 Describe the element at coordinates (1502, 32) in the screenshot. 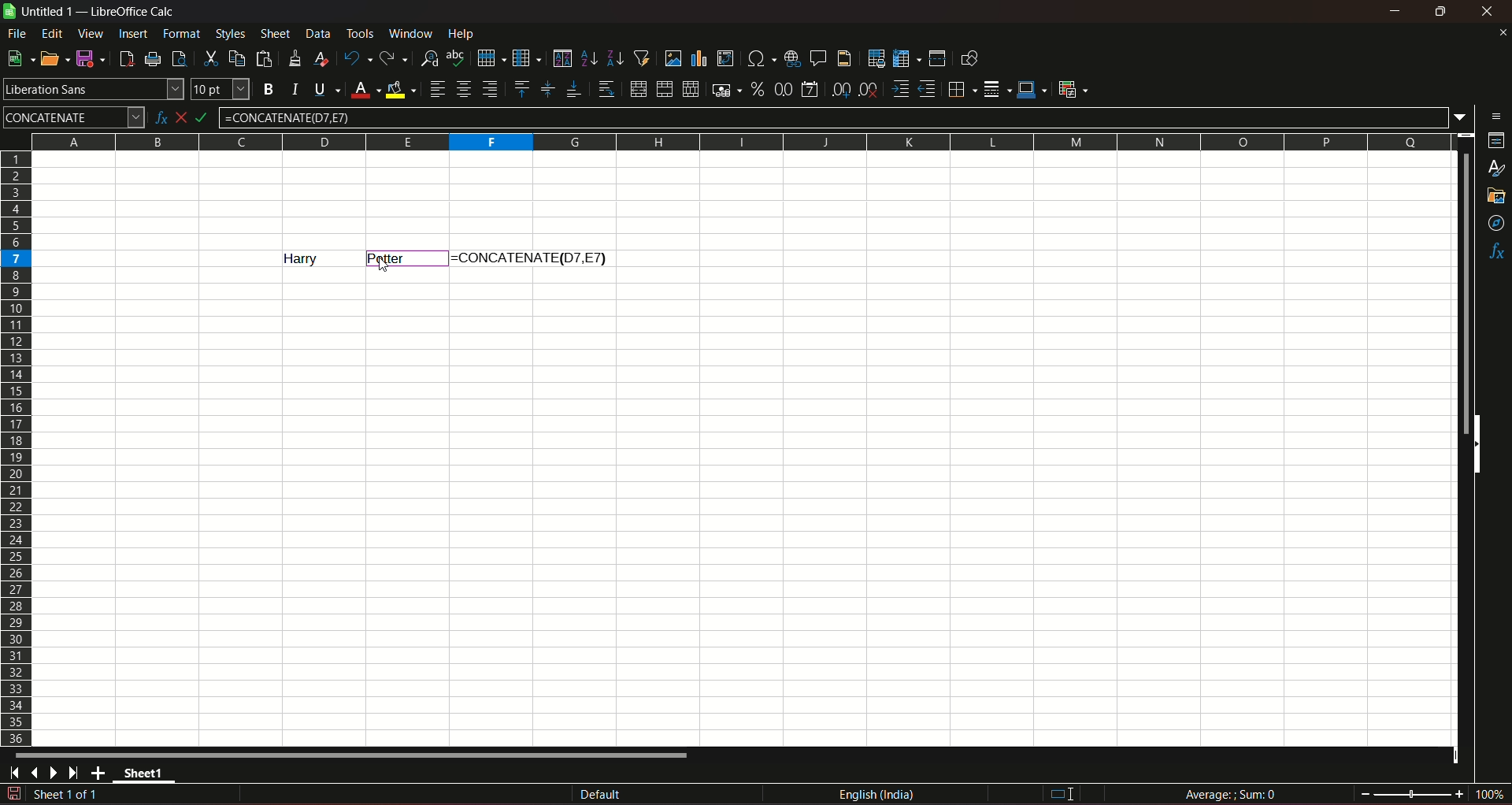

I see `close` at that location.